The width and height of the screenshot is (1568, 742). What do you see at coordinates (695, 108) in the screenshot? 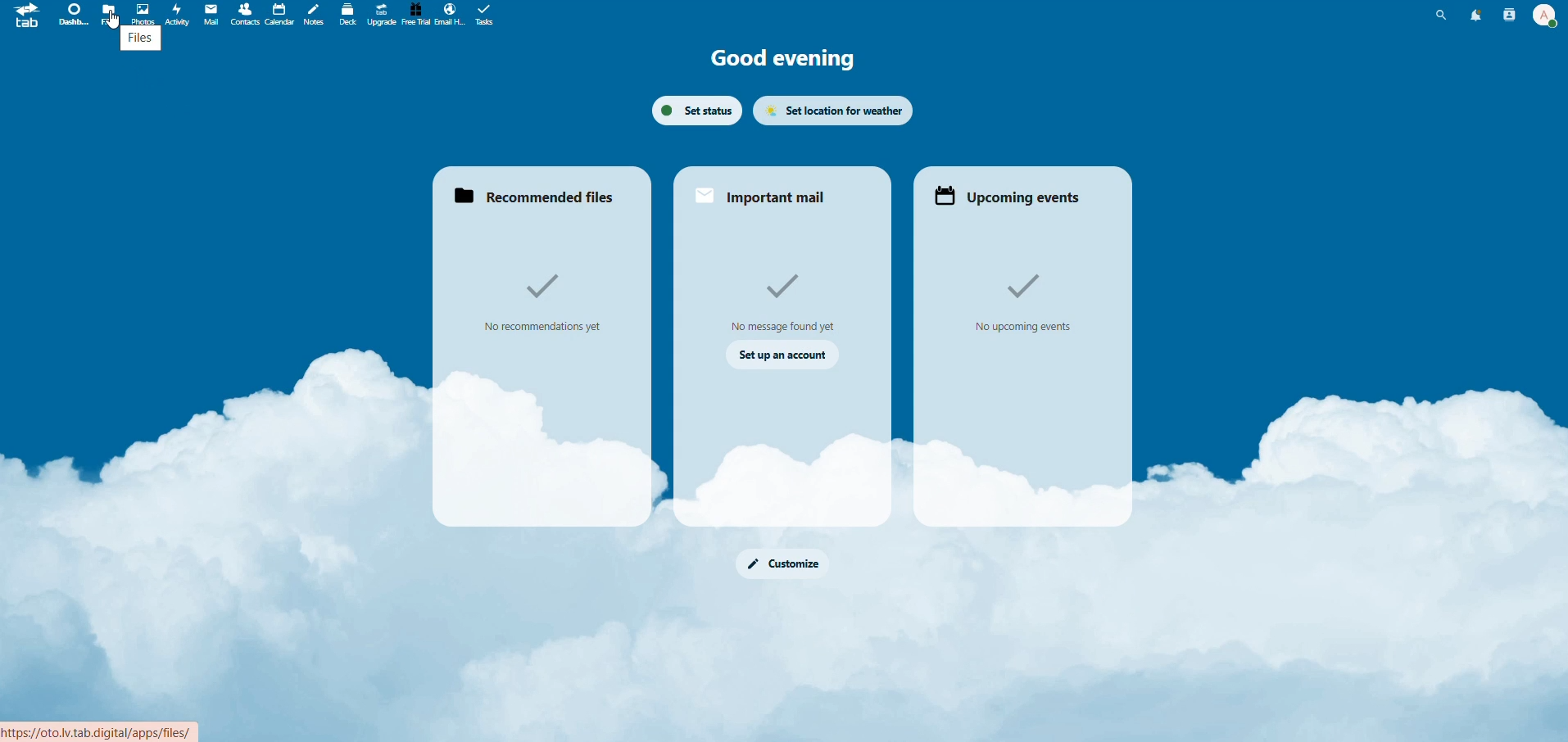
I see `Set Status` at bounding box center [695, 108].